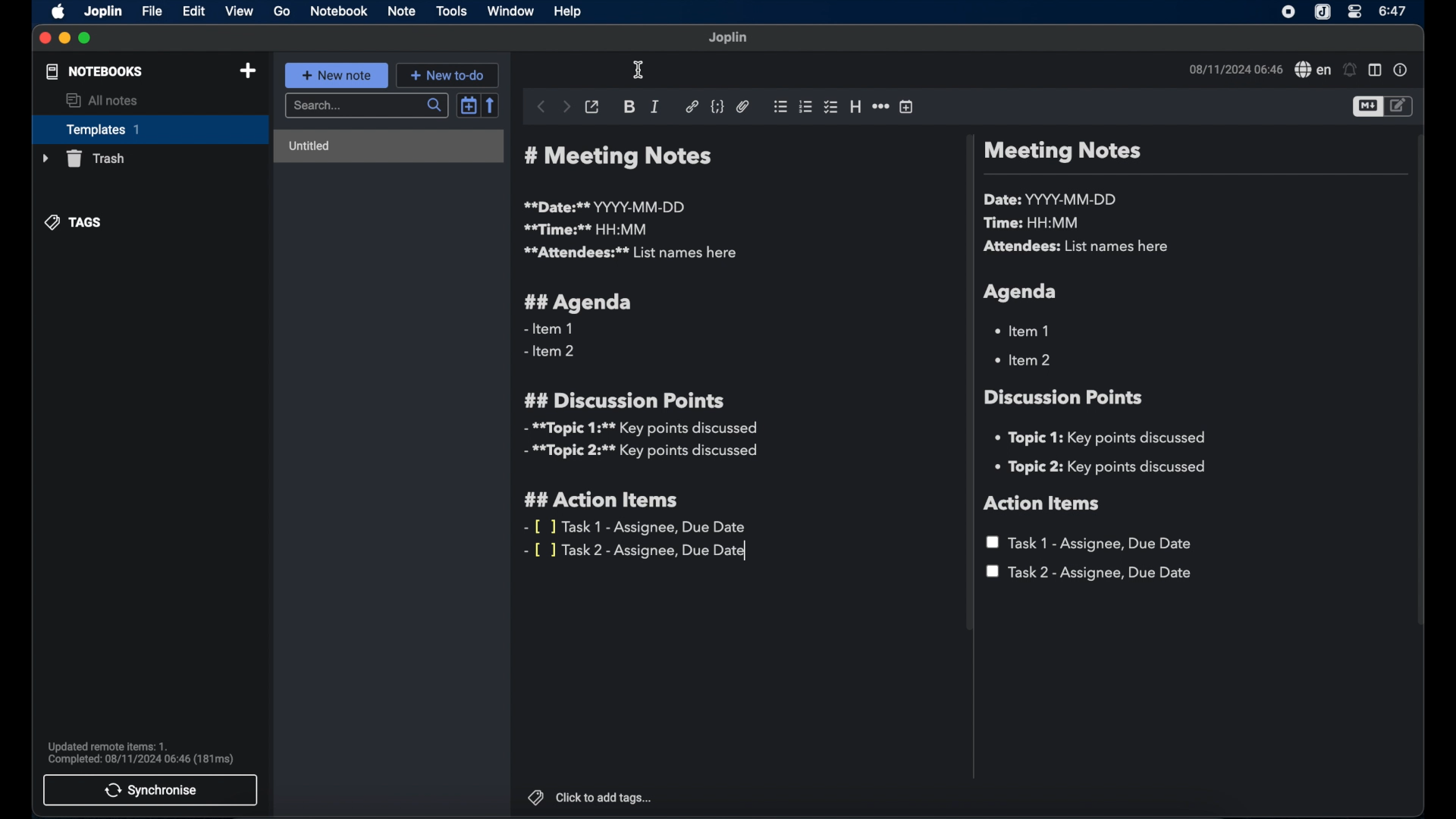 The width and height of the screenshot is (1456, 819). I want to click on set alarm, so click(1349, 70).